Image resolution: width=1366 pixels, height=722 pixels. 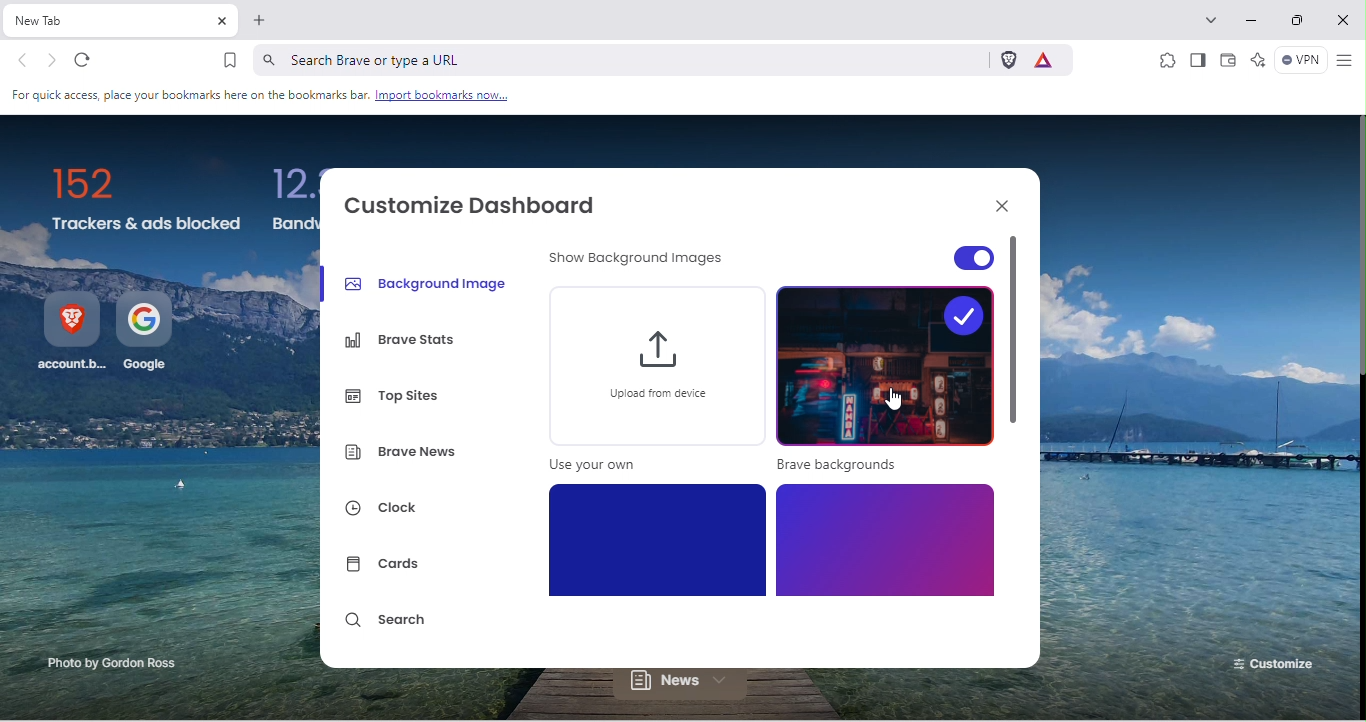 I want to click on Top sites, so click(x=400, y=392).